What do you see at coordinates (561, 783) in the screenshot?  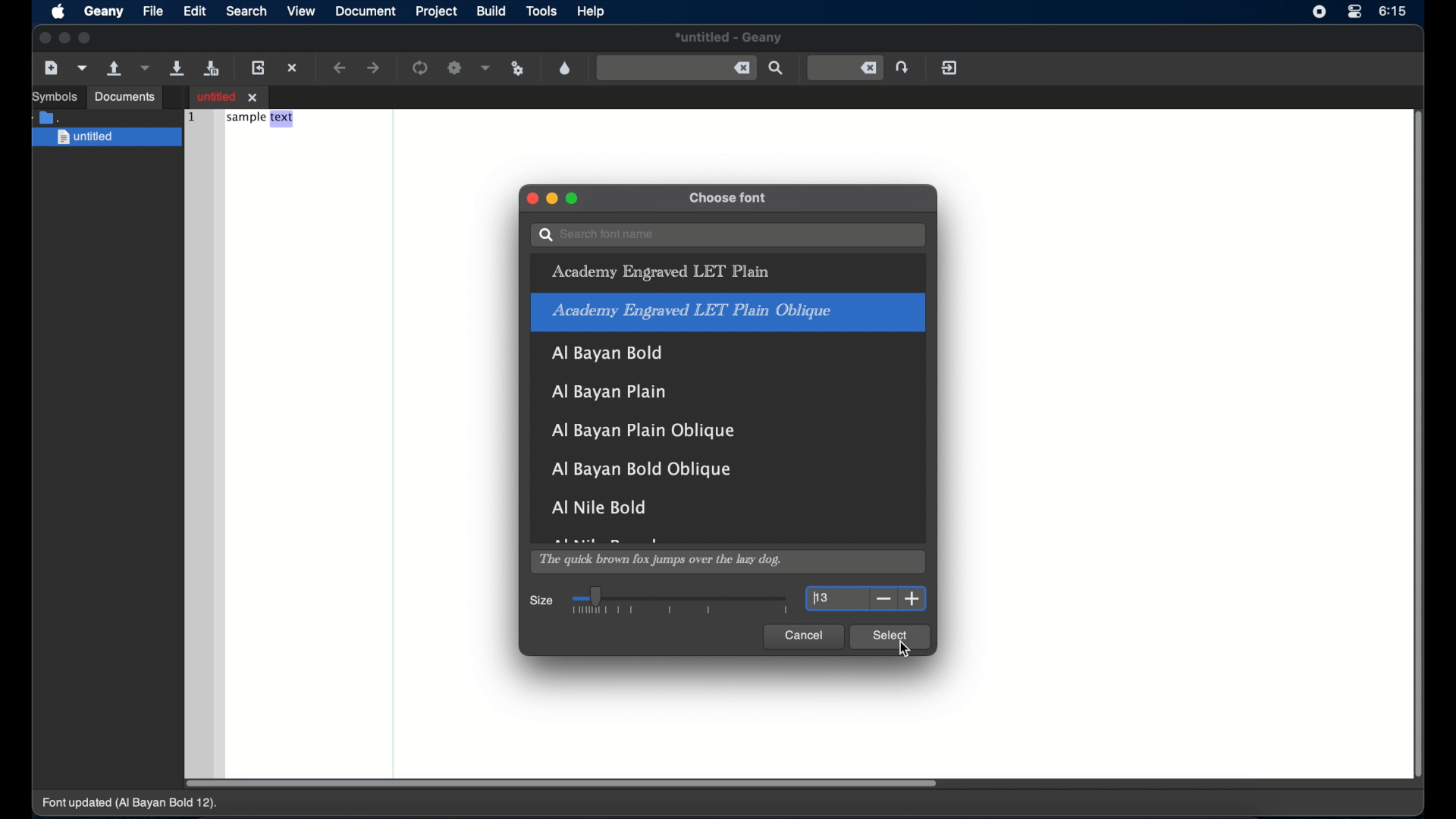 I see `scroll box` at bounding box center [561, 783].